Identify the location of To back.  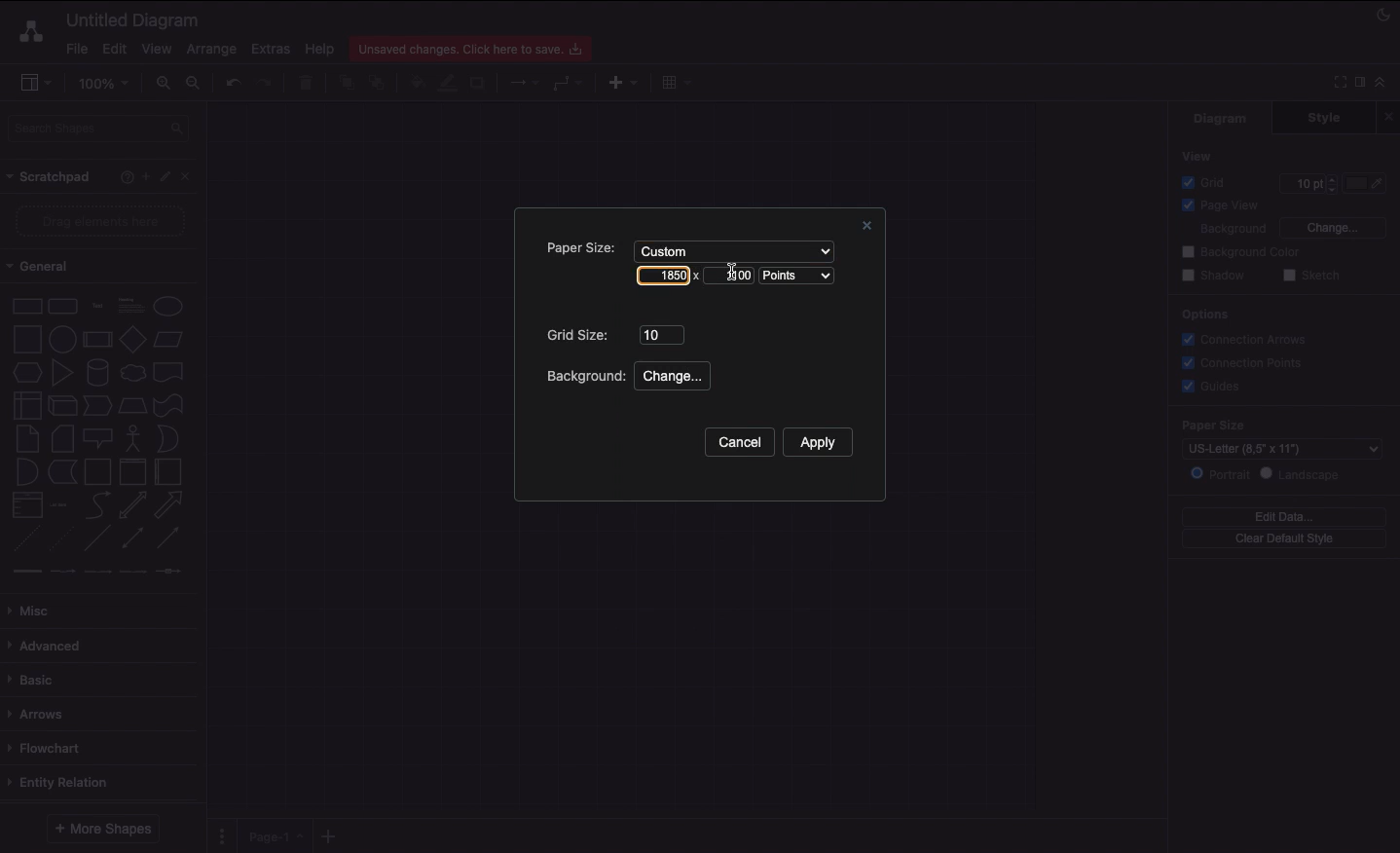
(380, 82).